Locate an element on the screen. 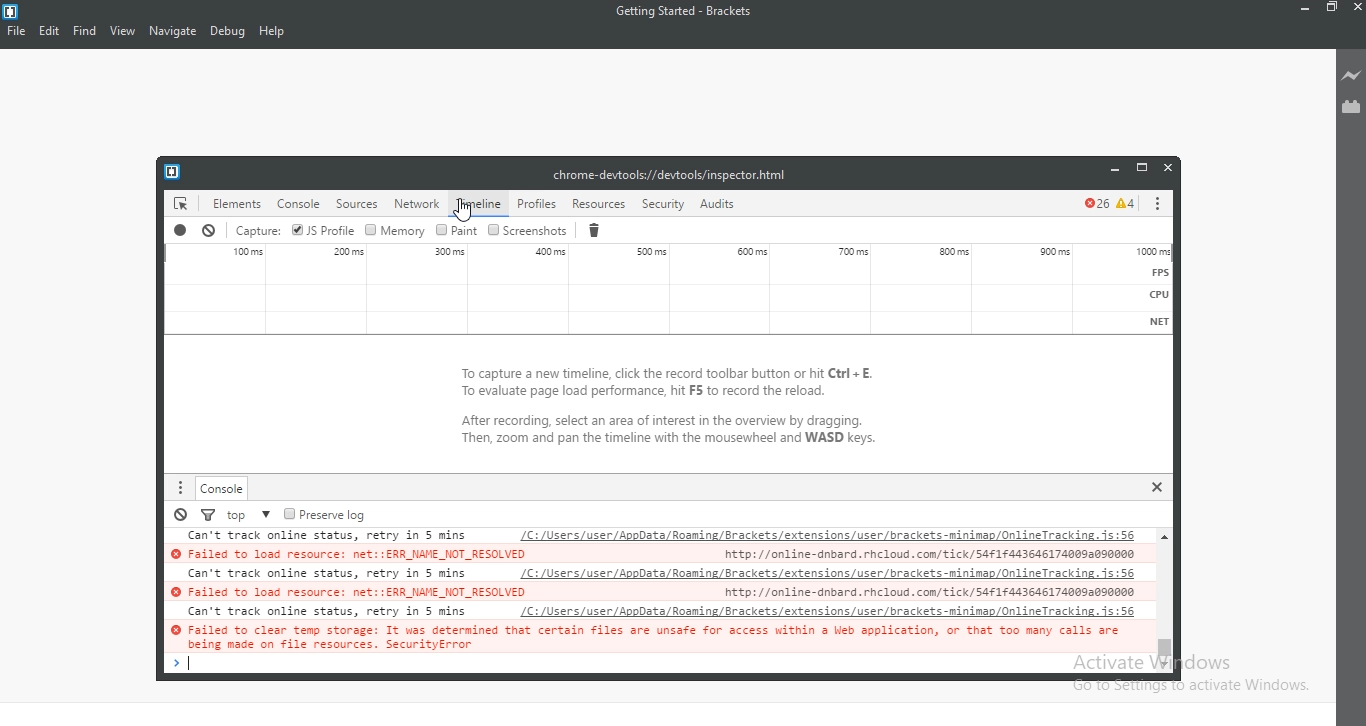 The height and width of the screenshot is (726, 1366). Top is located at coordinates (249, 515).